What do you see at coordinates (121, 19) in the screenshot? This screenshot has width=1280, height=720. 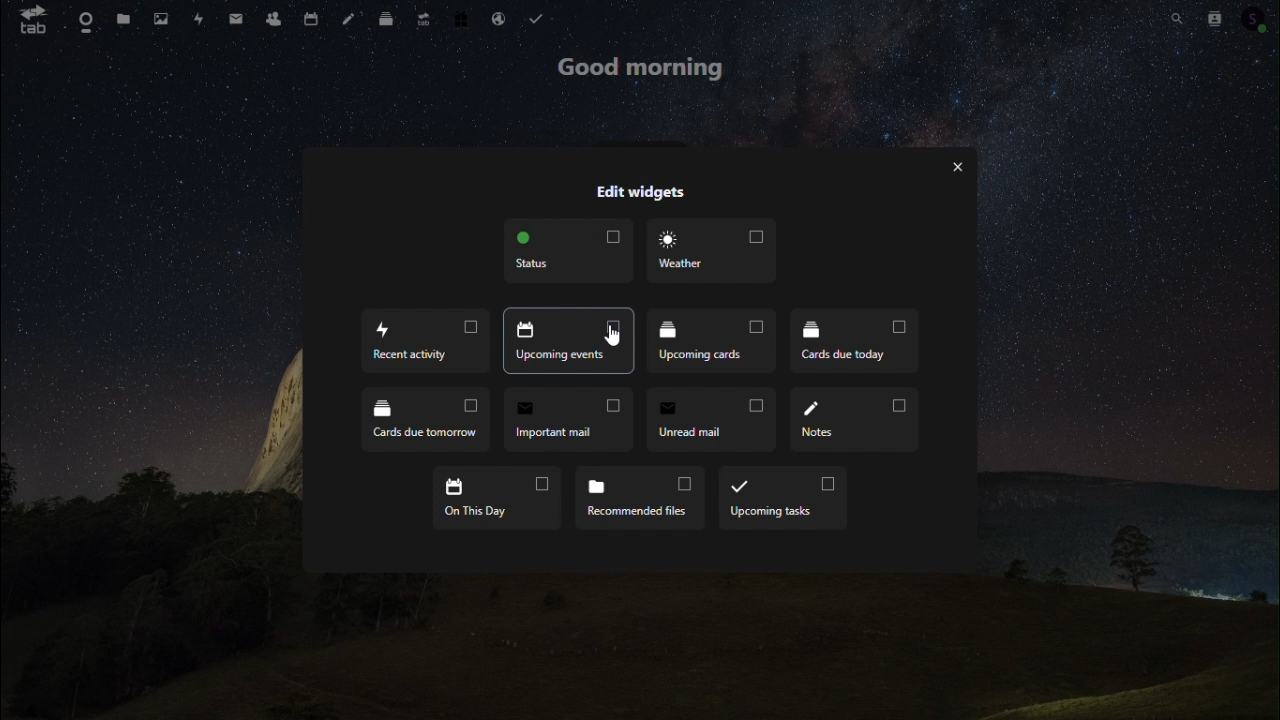 I see `Files` at bounding box center [121, 19].